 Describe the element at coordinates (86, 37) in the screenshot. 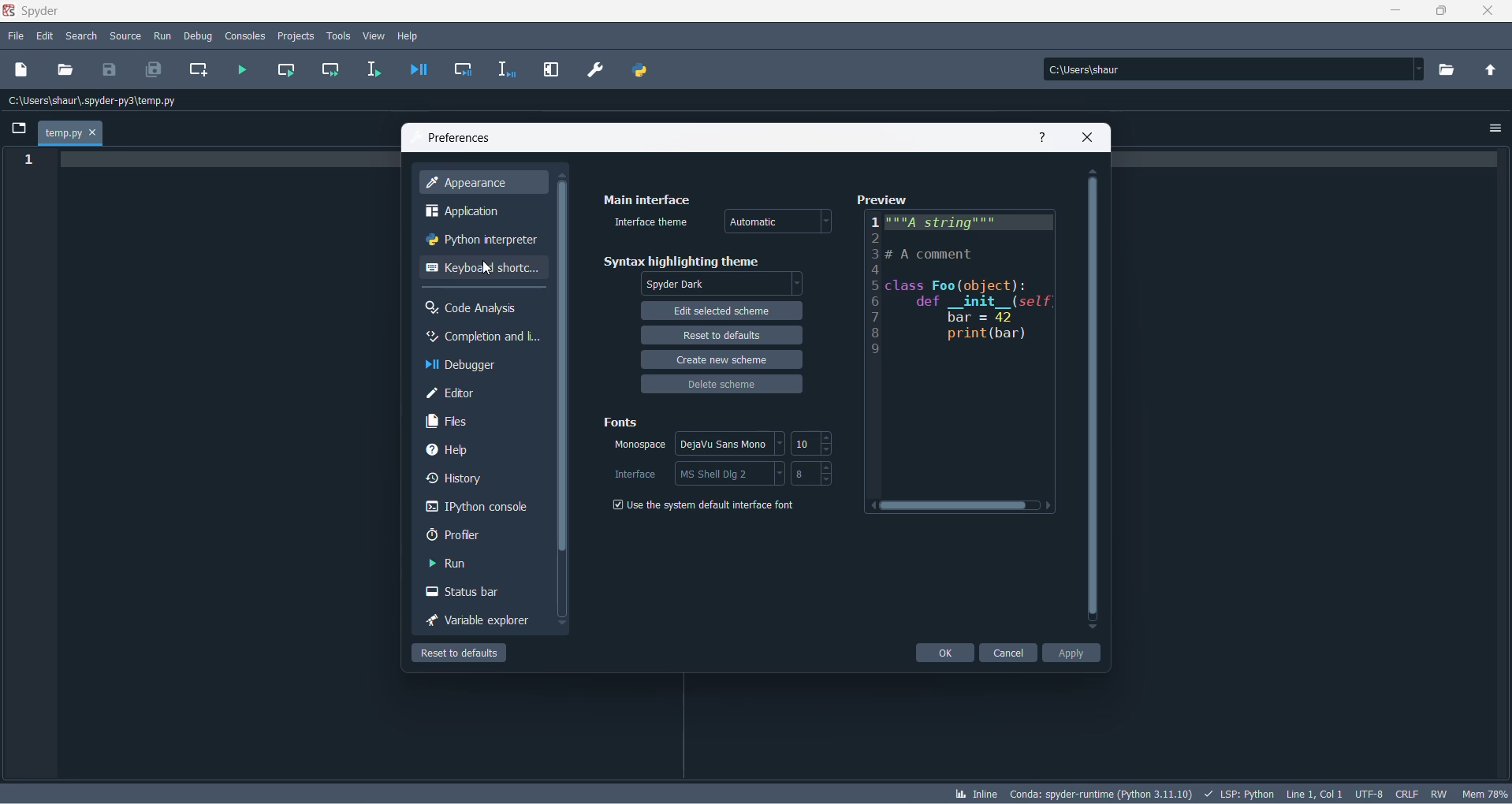

I see `search` at that location.